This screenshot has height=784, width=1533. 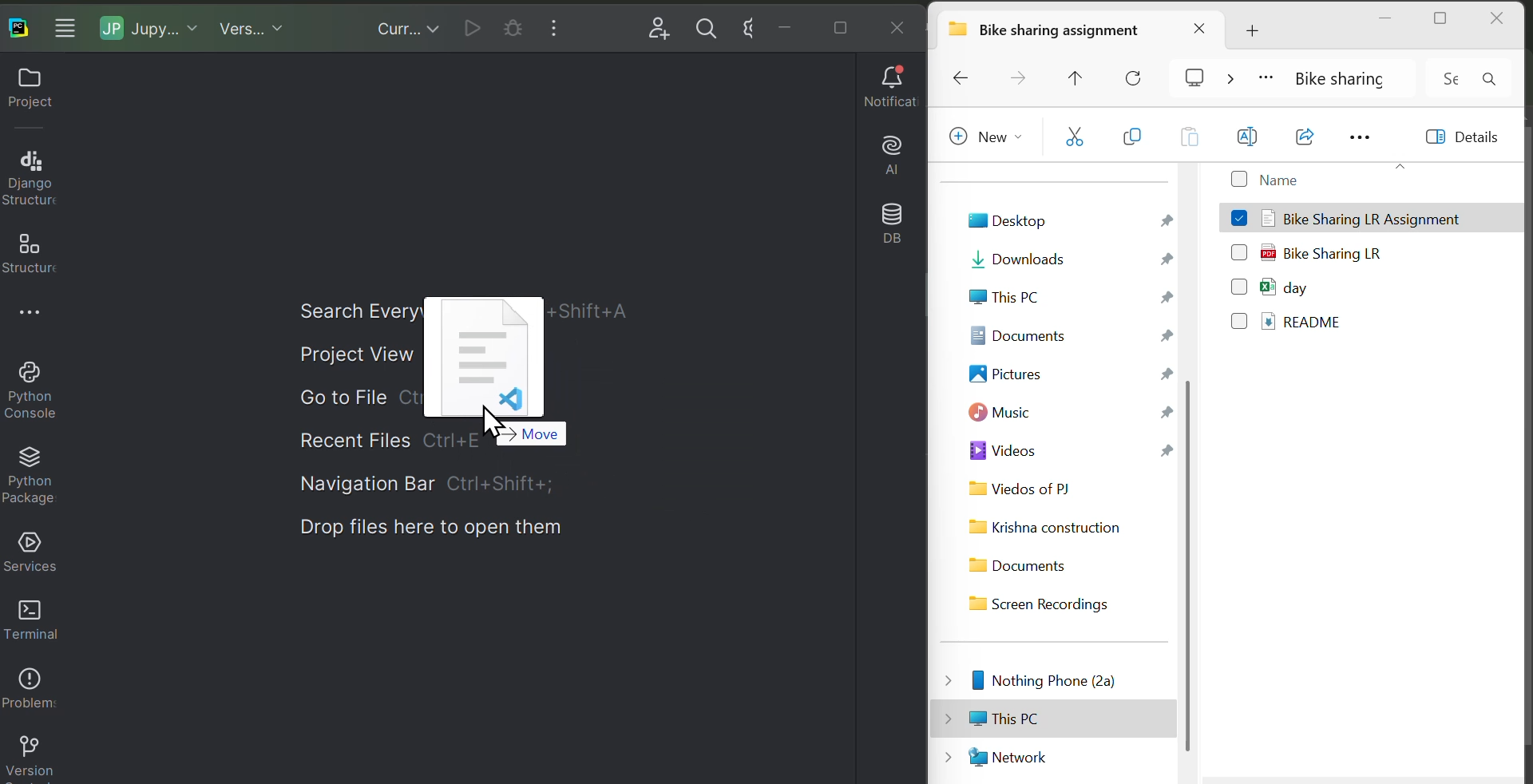 I want to click on More windows options, so click(x=561, y=27).